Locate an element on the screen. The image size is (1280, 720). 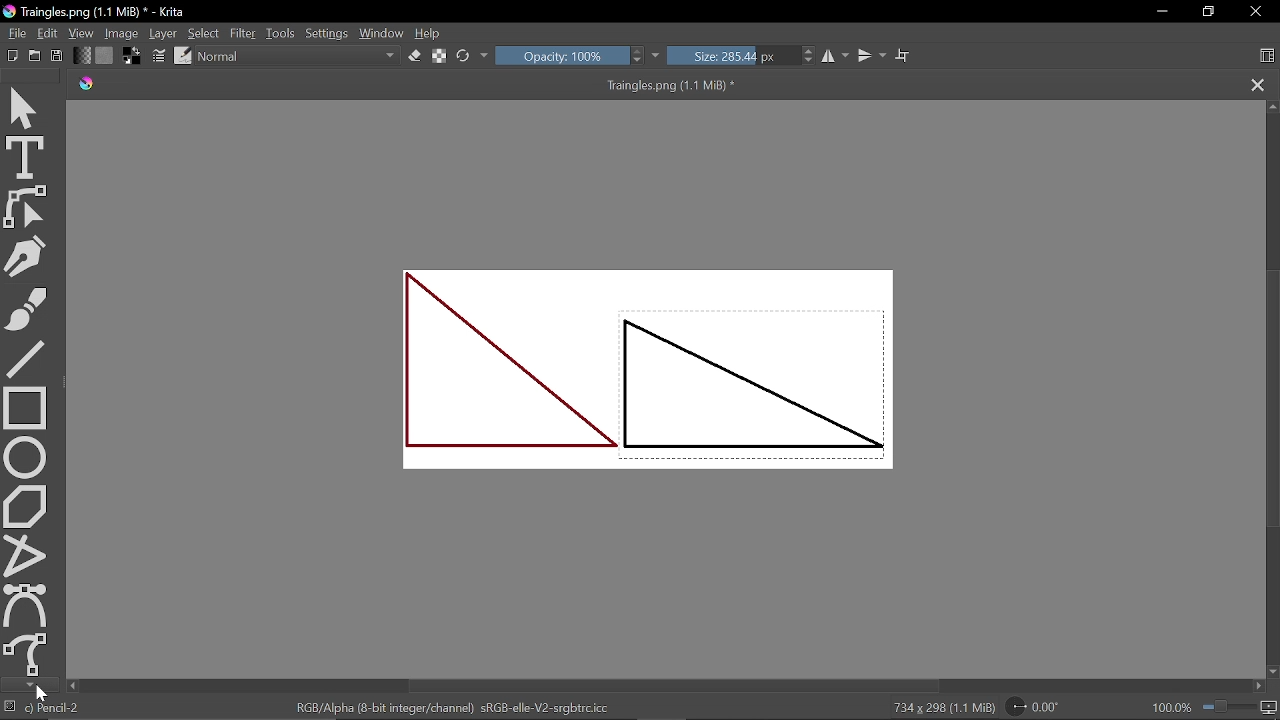
Close tag is located at coordinates (1259, 85).